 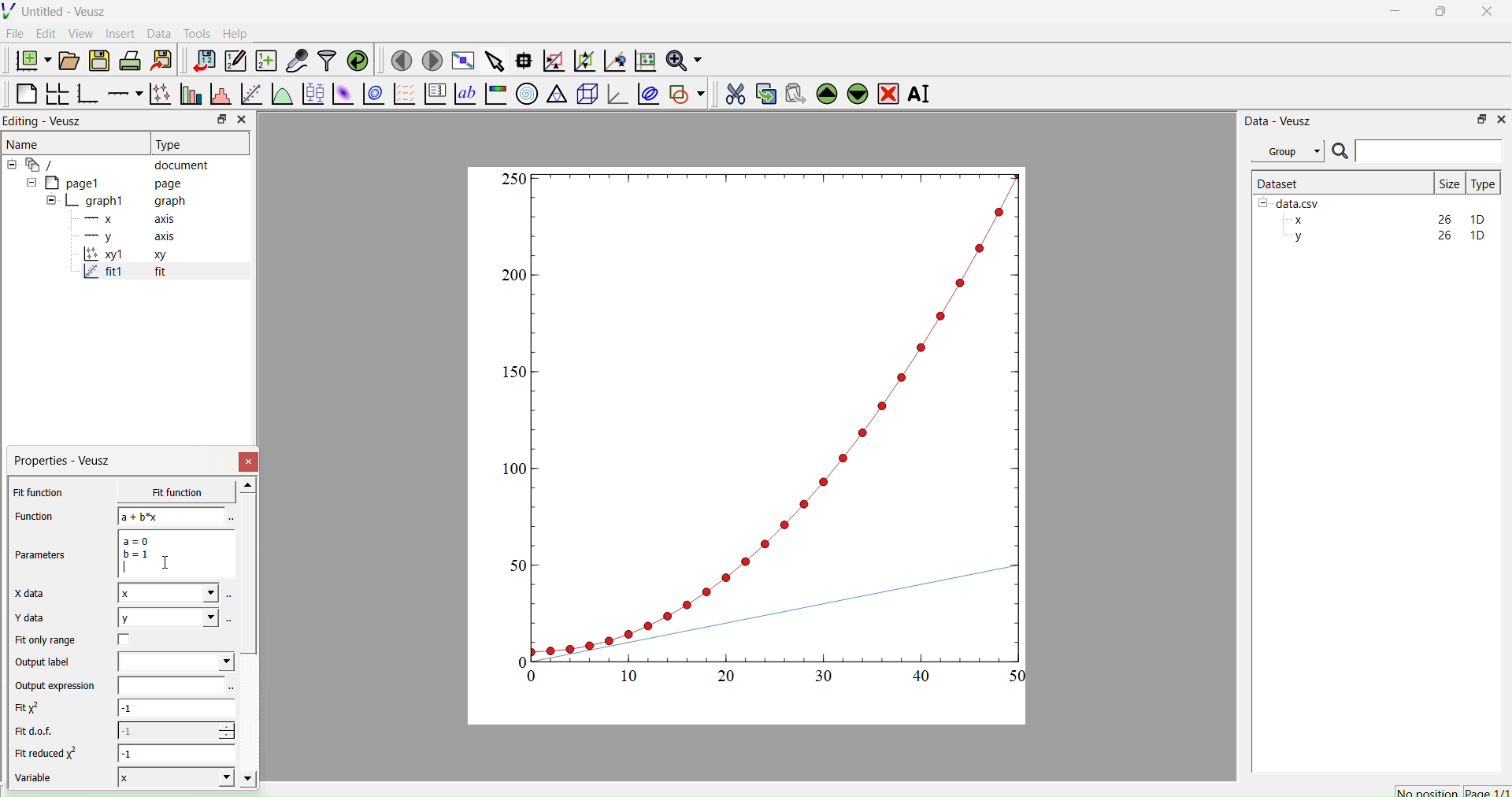 What do you see at coordinates (176, 662) in the screenshot?
I see `Dropdown` at bounding box center [176, 662].